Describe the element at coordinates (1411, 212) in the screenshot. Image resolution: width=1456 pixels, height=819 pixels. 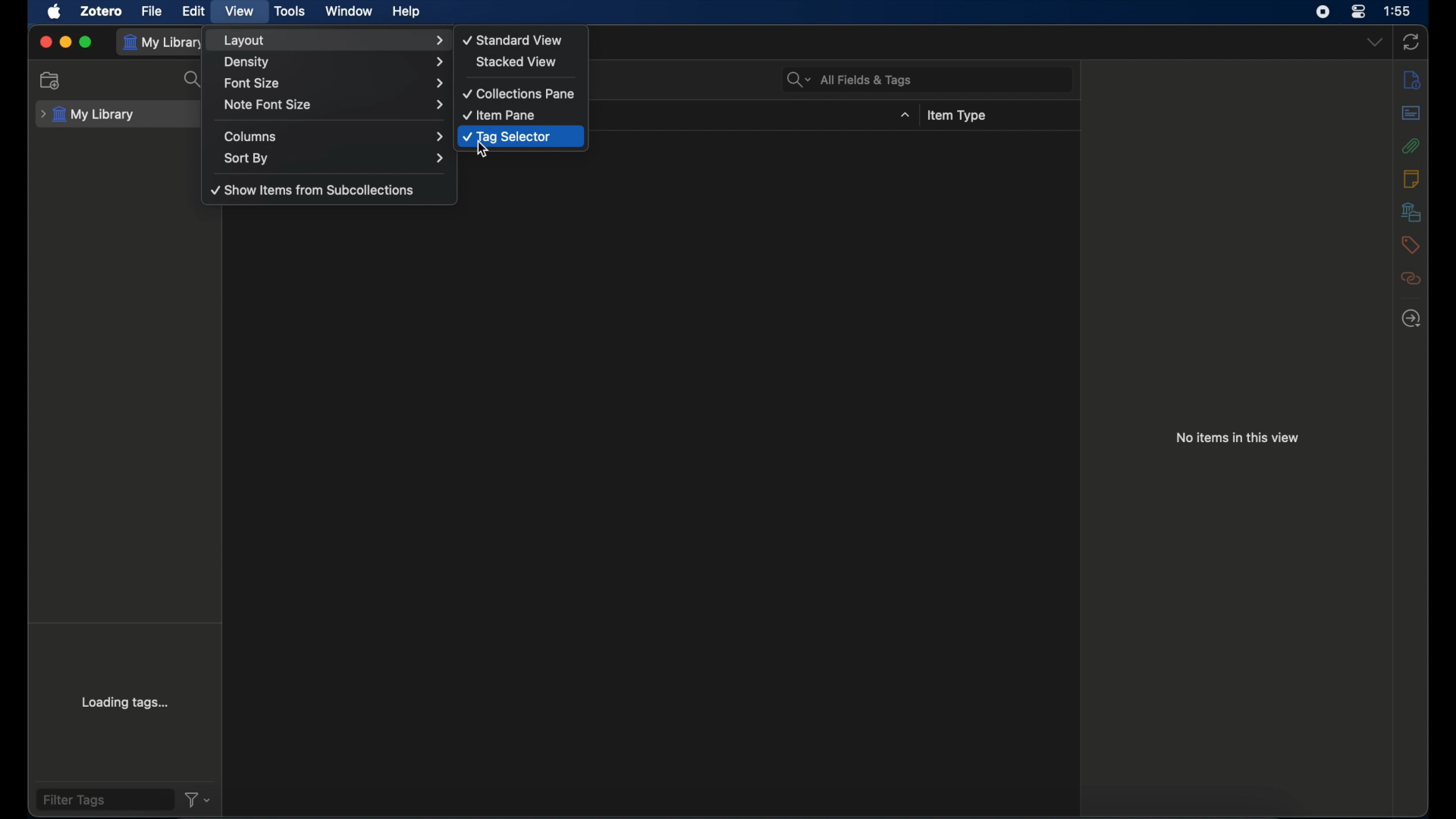
I see `libraries` at that location.